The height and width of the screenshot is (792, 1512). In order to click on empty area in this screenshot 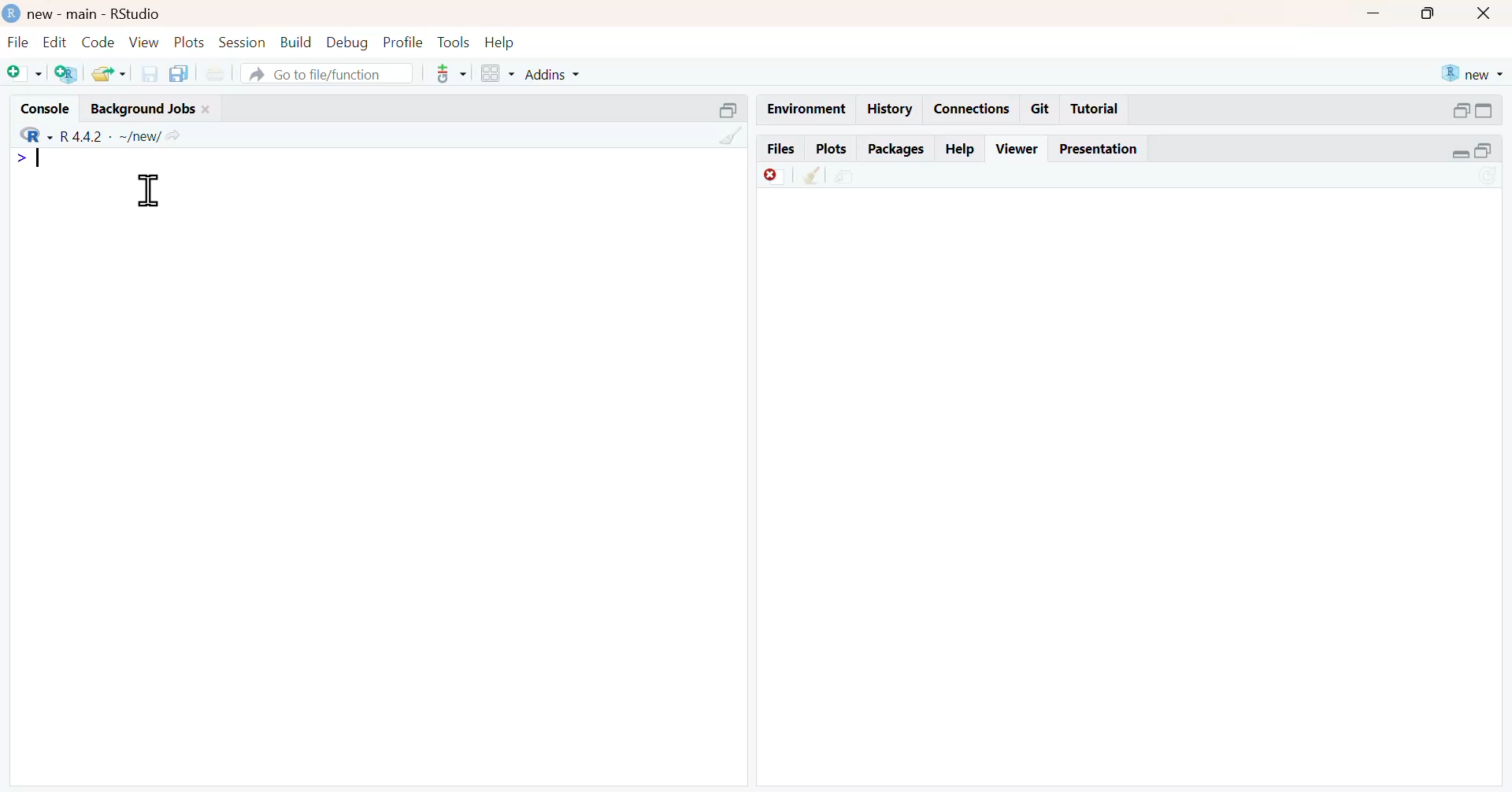, I will do `click(1137, 491)`.